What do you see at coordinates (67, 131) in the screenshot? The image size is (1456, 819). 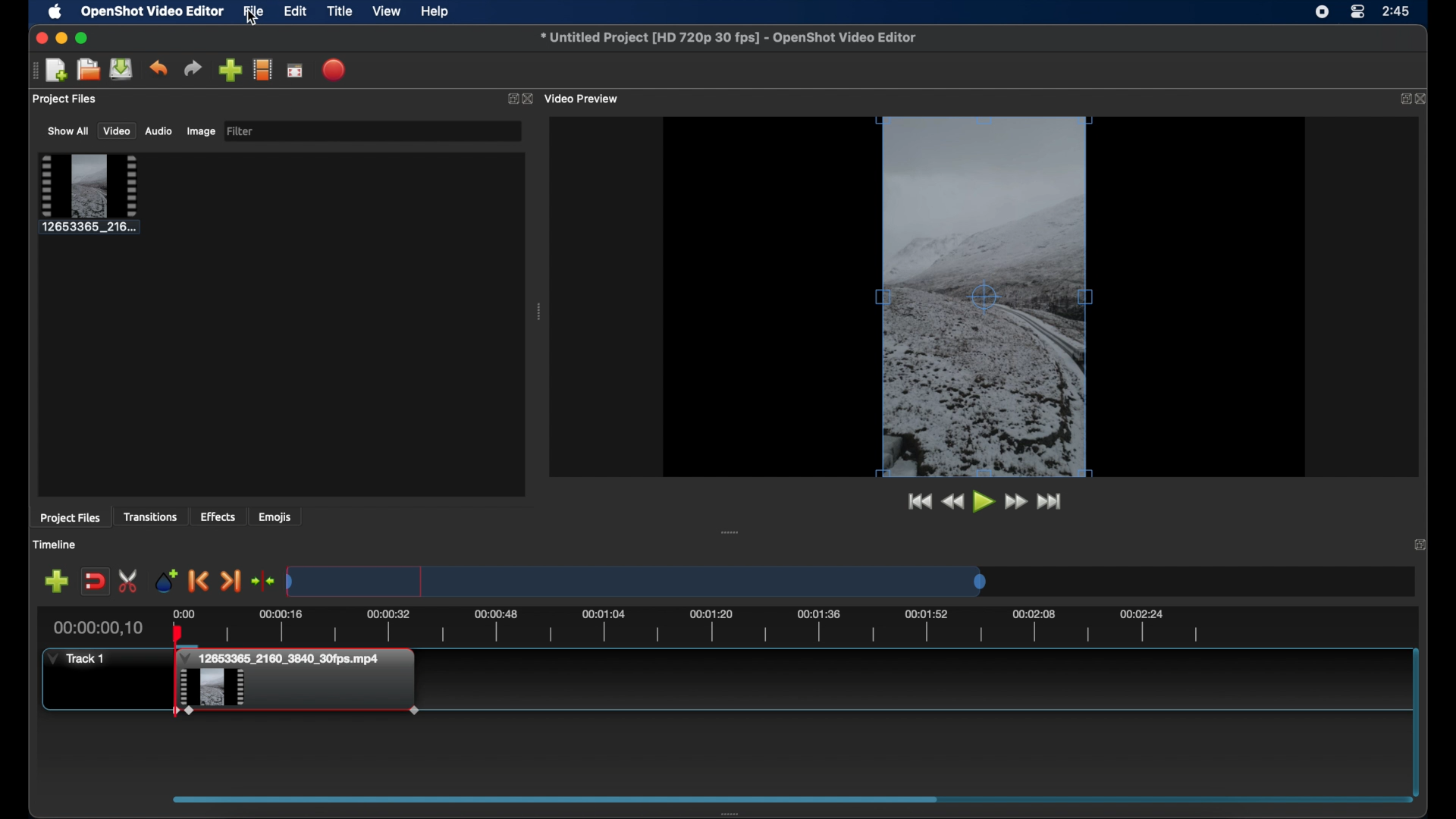 I see `show all` at bounding box center [67, 131].